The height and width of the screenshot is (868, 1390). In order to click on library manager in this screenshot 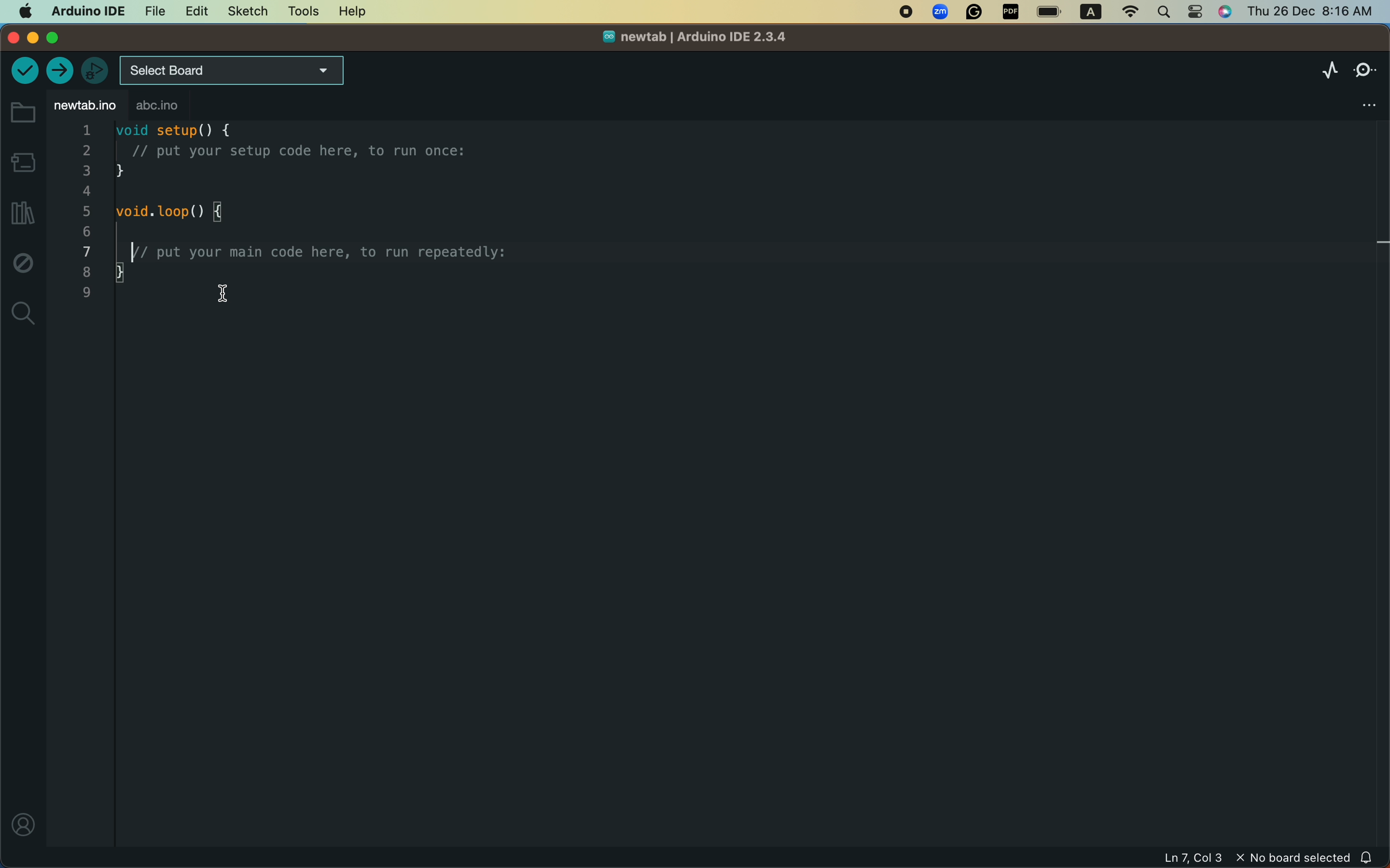, I will do `click(20, 214)`.